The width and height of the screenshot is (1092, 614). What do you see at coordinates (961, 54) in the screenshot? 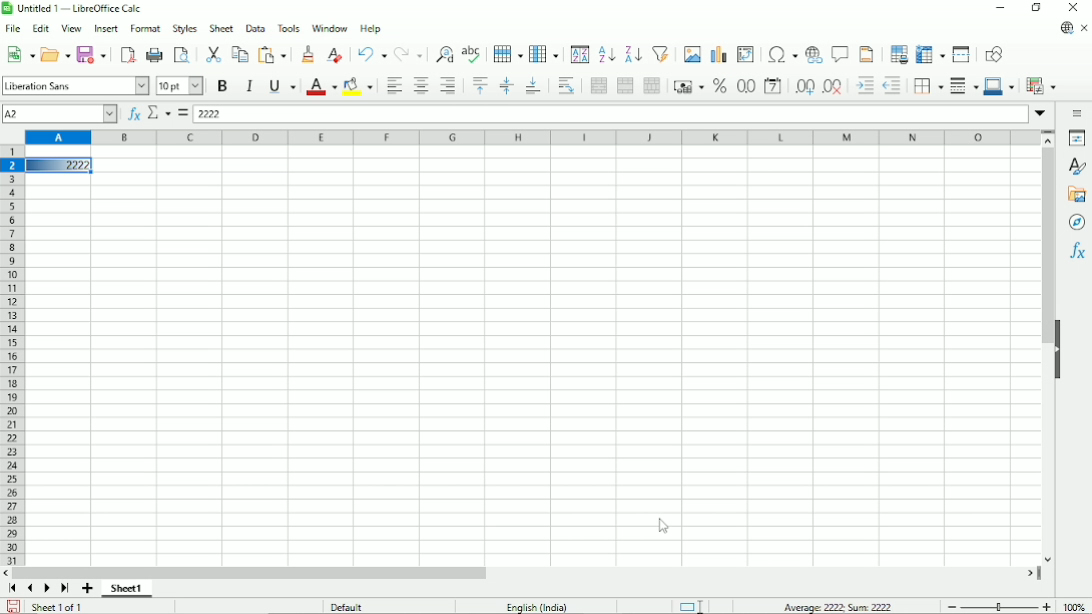
I see `Split window` at bounding box center [961, 54].